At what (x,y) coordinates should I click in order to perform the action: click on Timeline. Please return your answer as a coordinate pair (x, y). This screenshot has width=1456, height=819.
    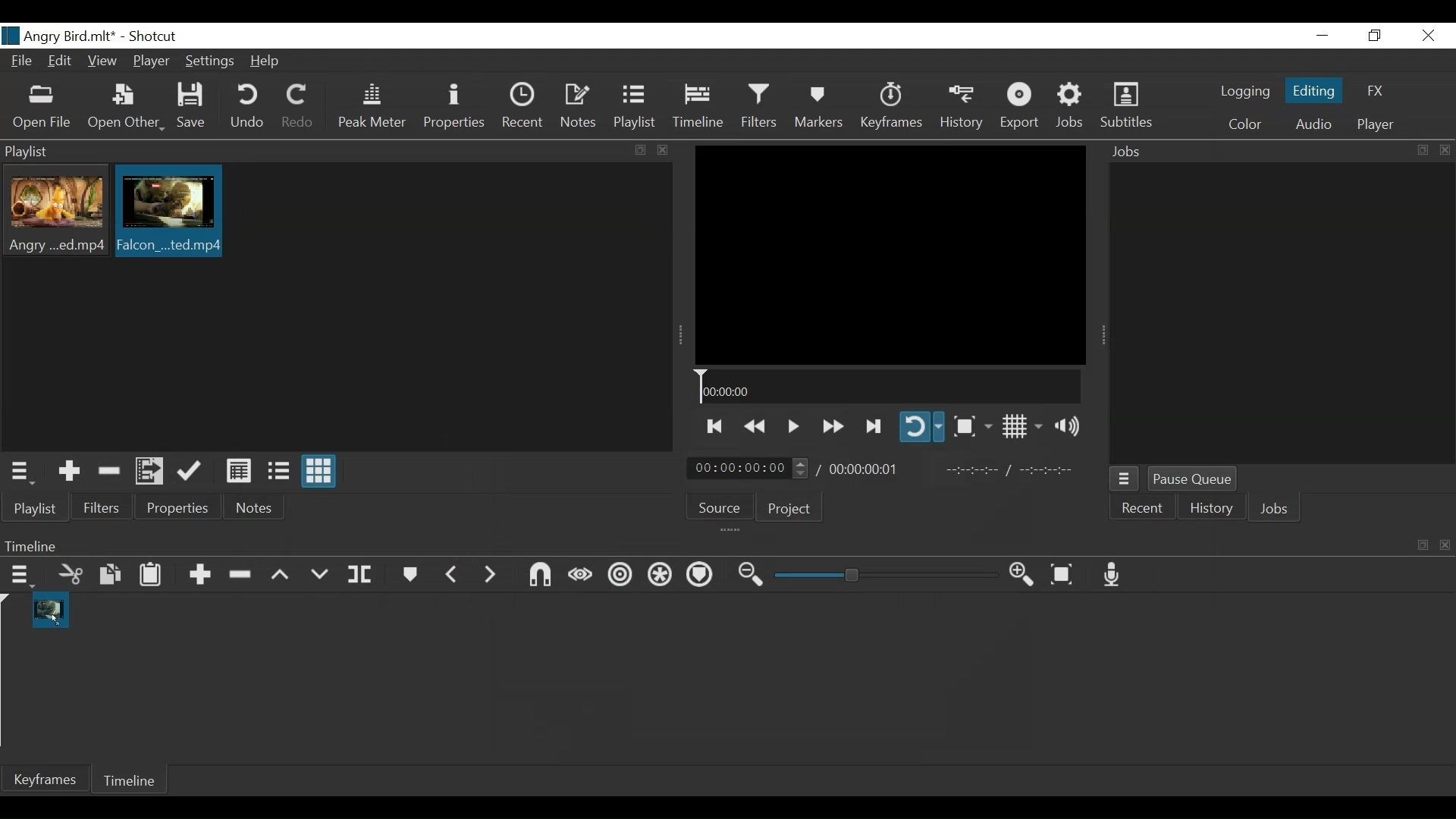
    Looking at the image, I should click on (699, 106).